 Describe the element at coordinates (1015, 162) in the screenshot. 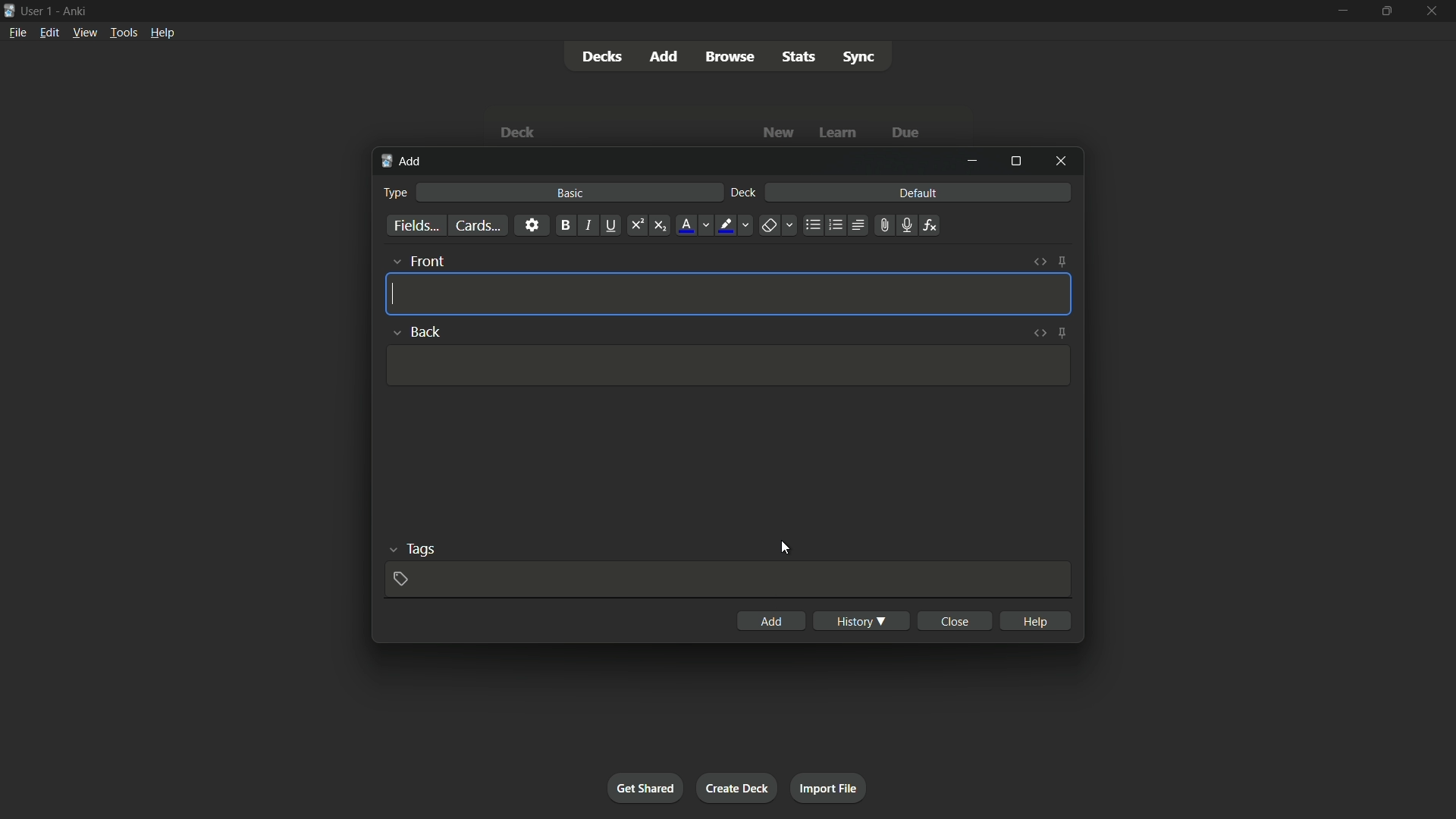

I see `maximize` at that location.